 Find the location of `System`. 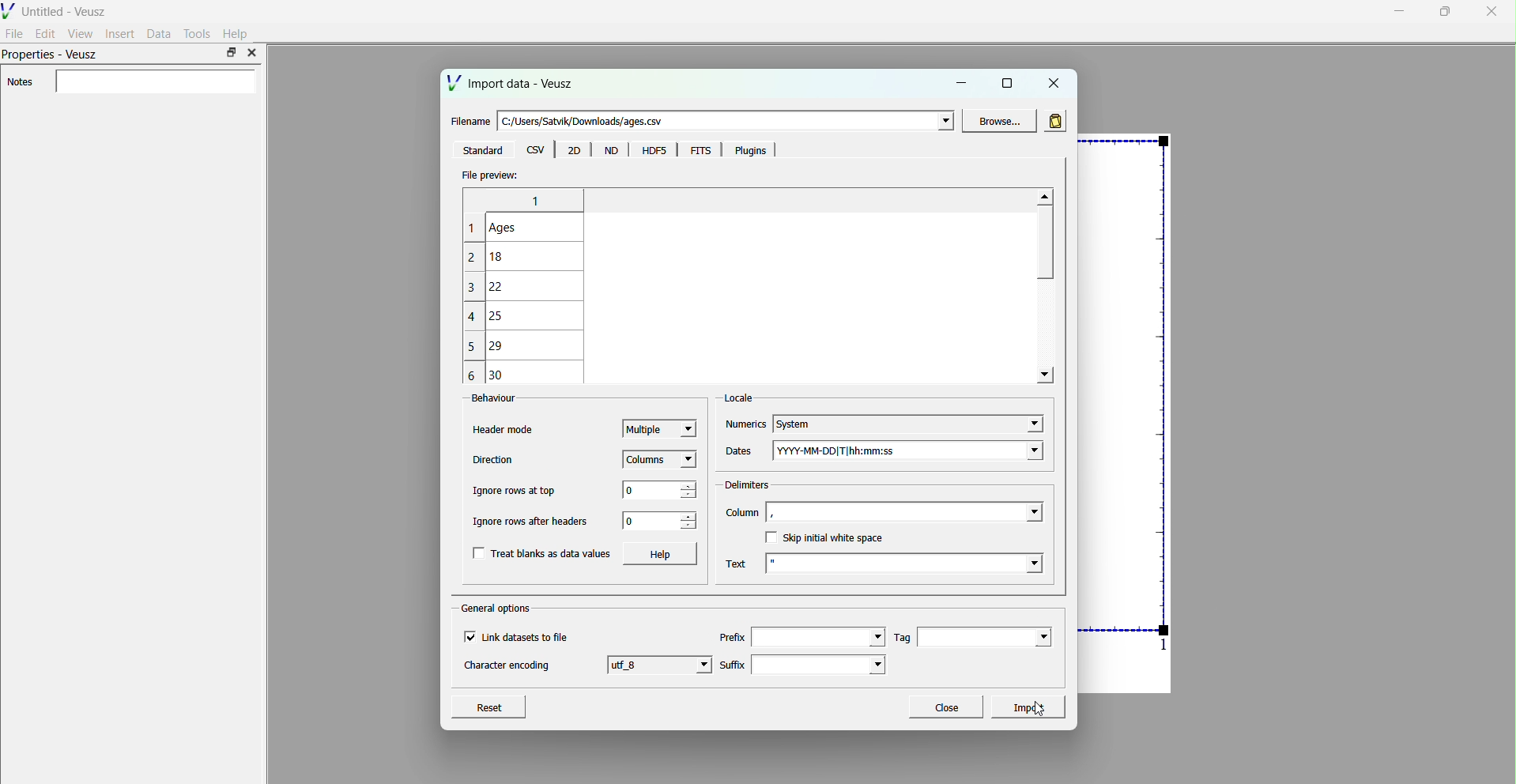

System is located at coordinates (909, 424).